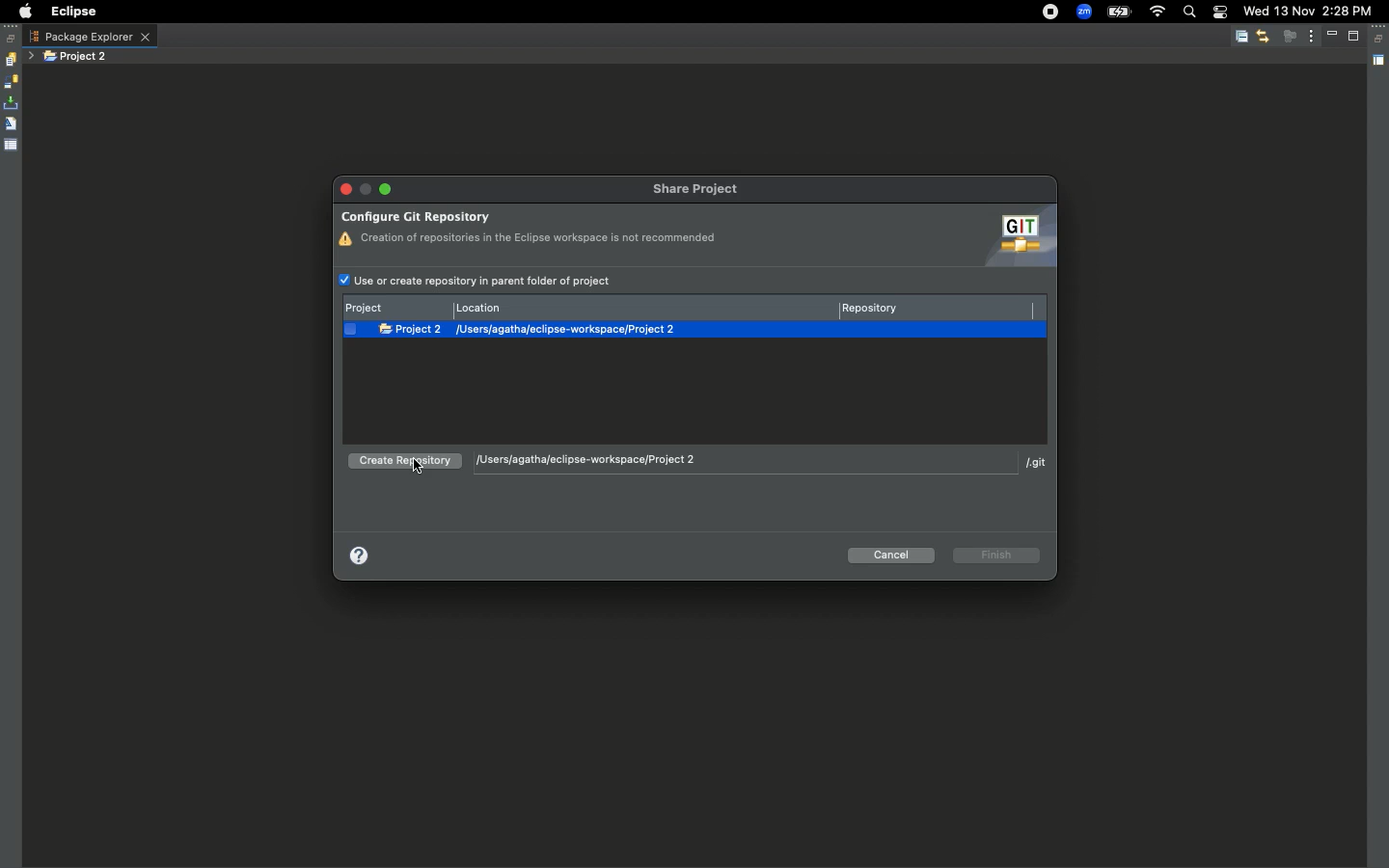 Image resolution: width=1389 pixels, height=868 pixels. What do you see at coordinates (12, 39) in the screenshot?
I see `Restore` at bounding box center [12, 39].